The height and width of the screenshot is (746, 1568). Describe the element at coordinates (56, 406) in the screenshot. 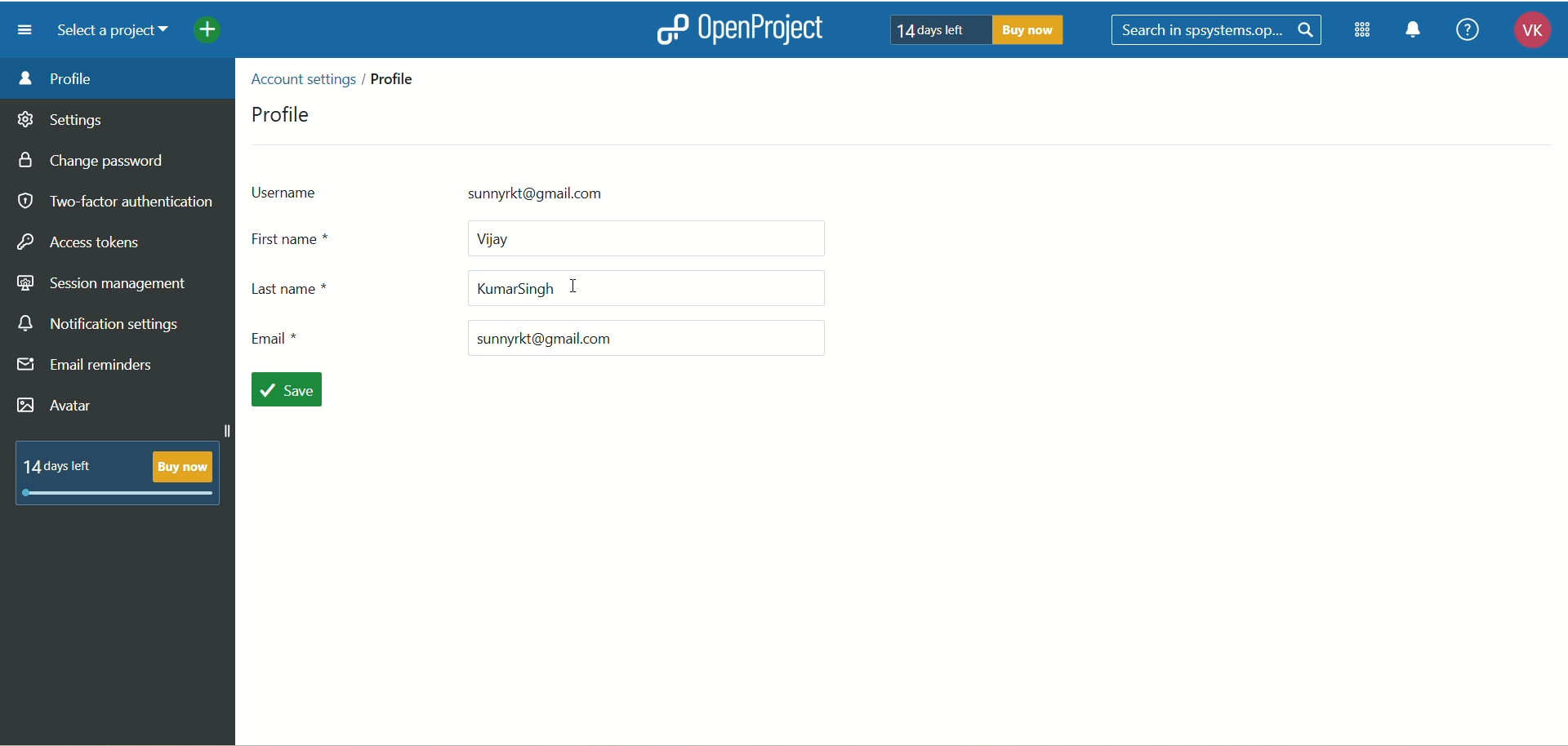

I see `avatar` at that location.